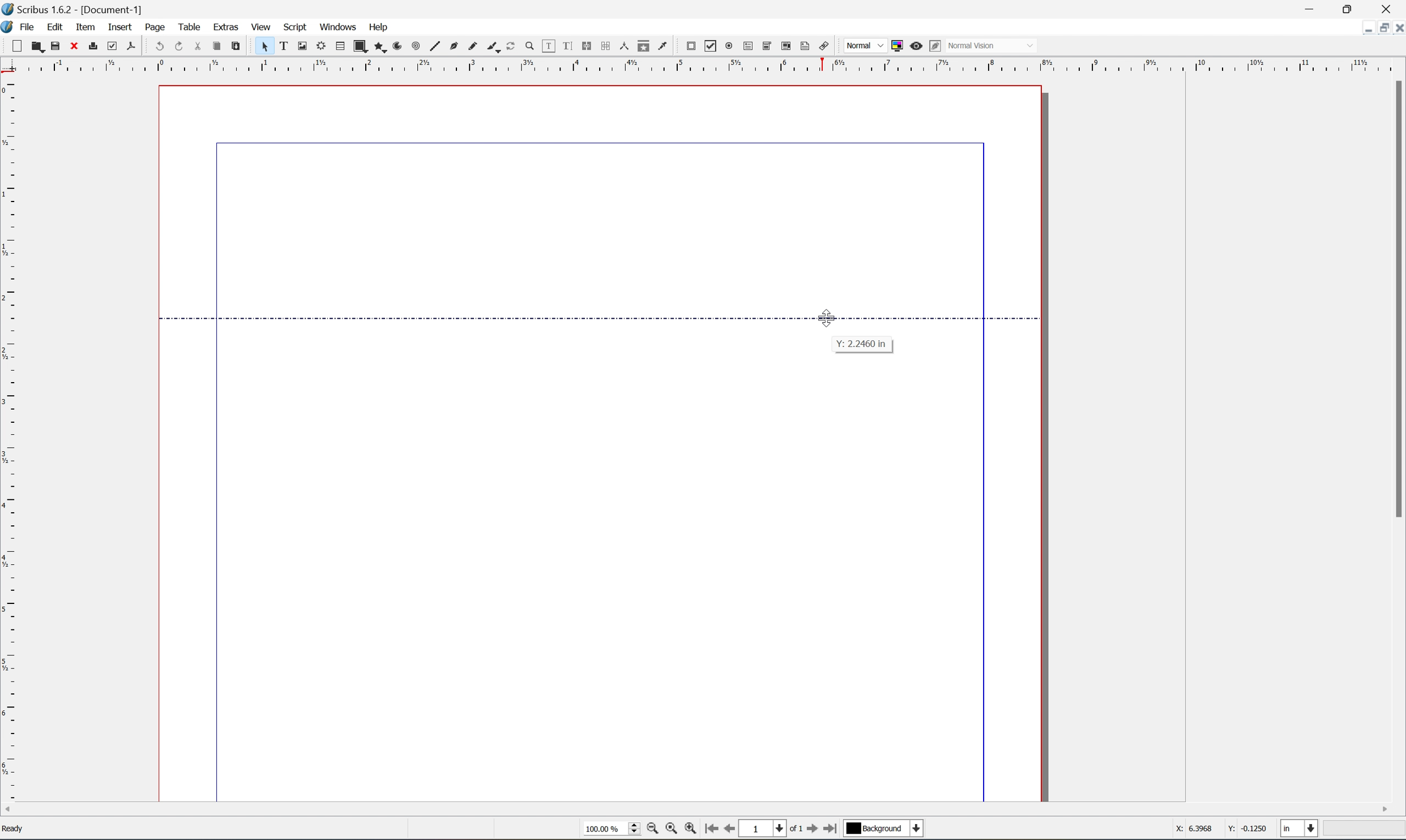  I want to click on new, so click(16, 47).